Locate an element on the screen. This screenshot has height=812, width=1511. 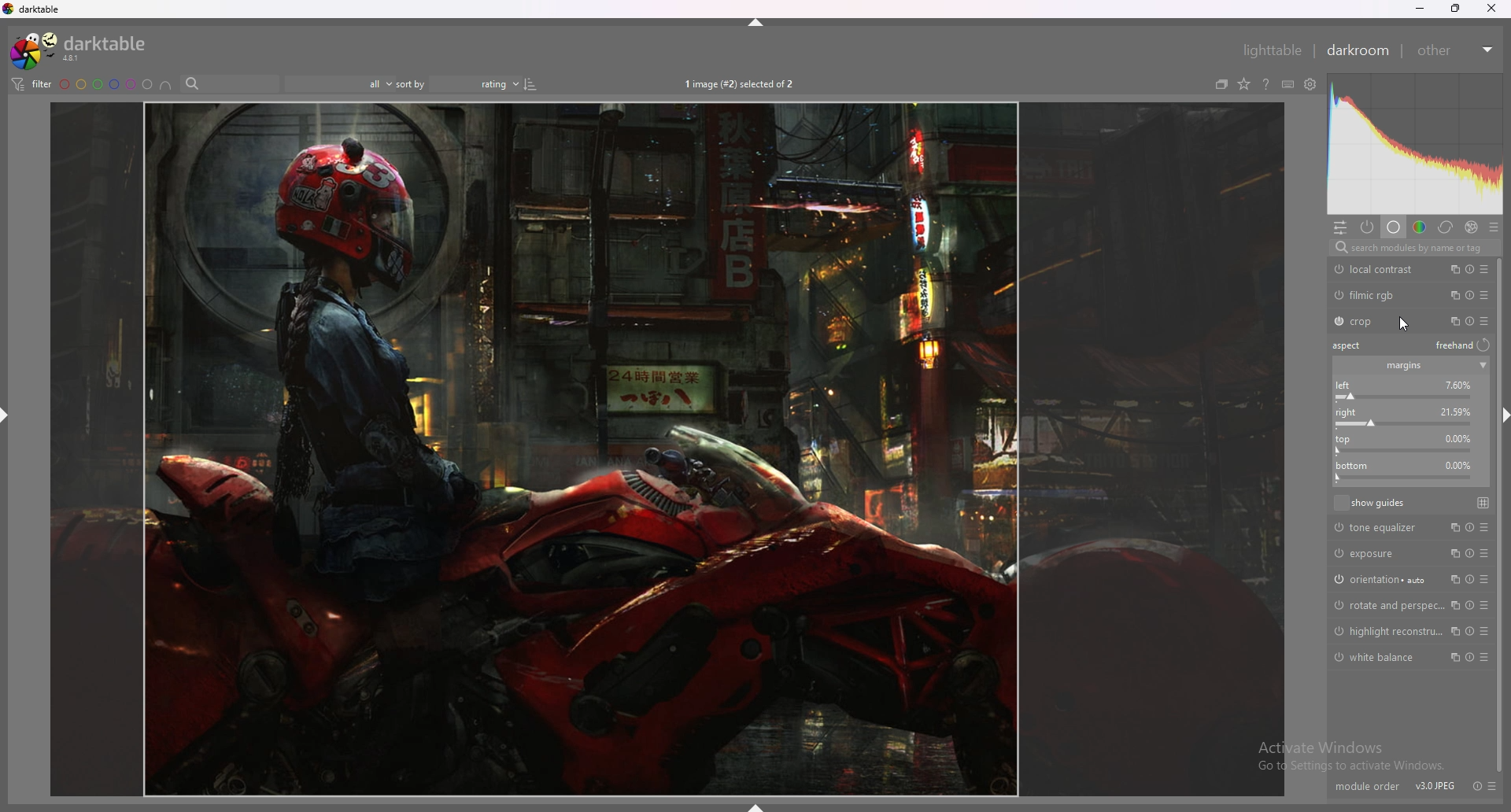
multiple instances action is located at coordinates (1452, 579).